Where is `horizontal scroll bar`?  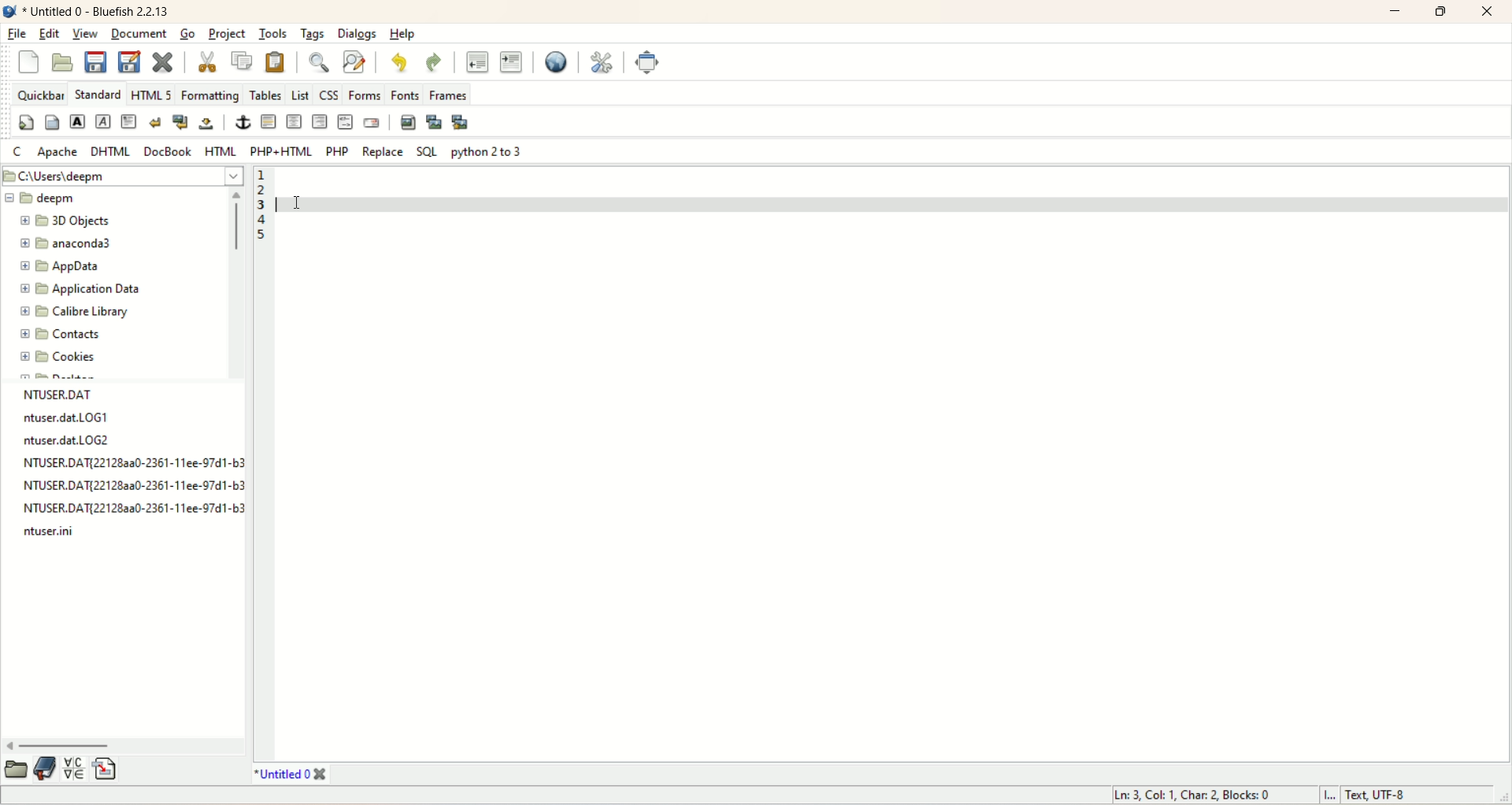 horizontal scroll bar is located at coordinates (126, 745).